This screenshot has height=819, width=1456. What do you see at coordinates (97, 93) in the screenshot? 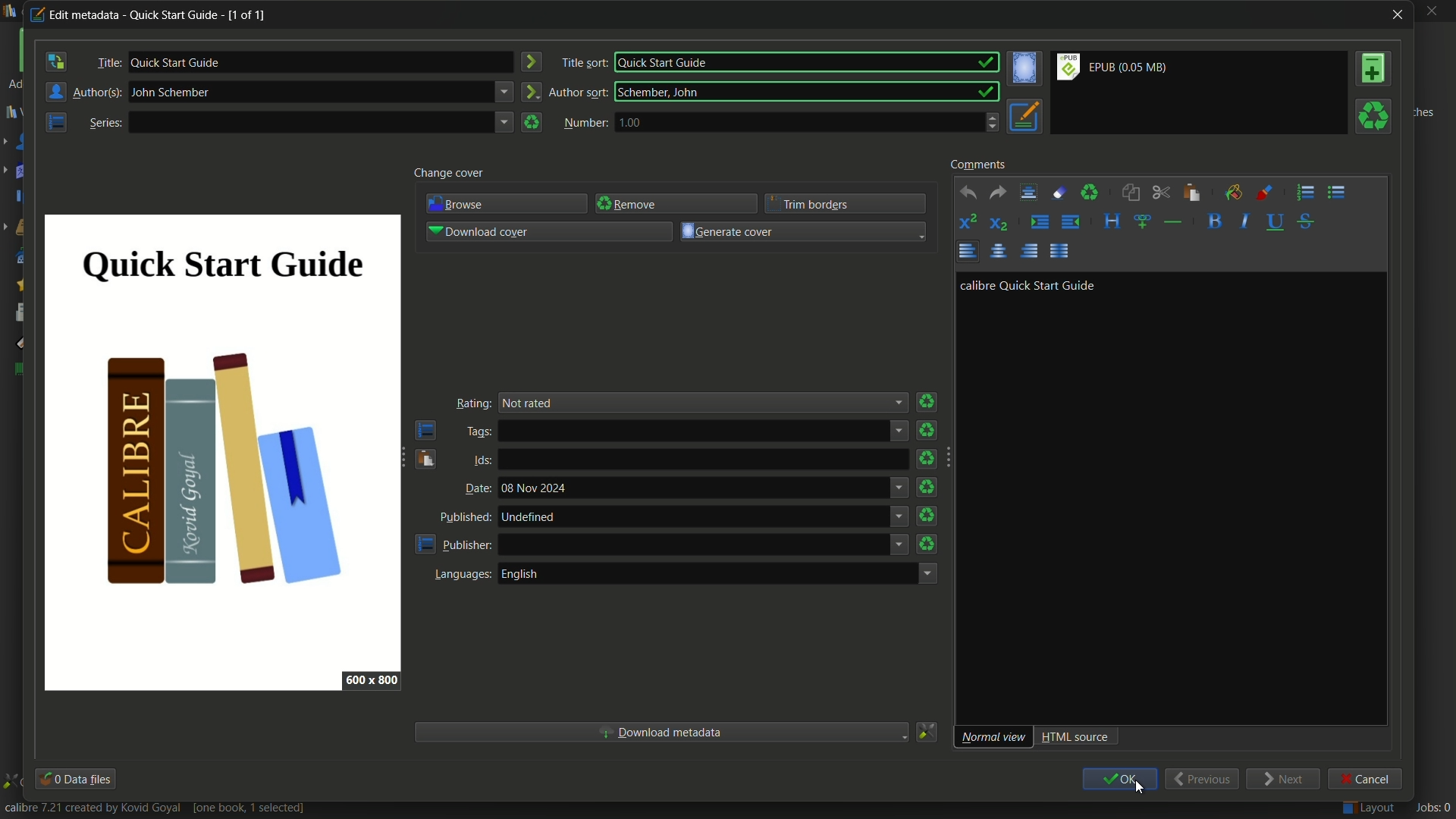
I see `Author(s)` at bounding box center [97, 93].